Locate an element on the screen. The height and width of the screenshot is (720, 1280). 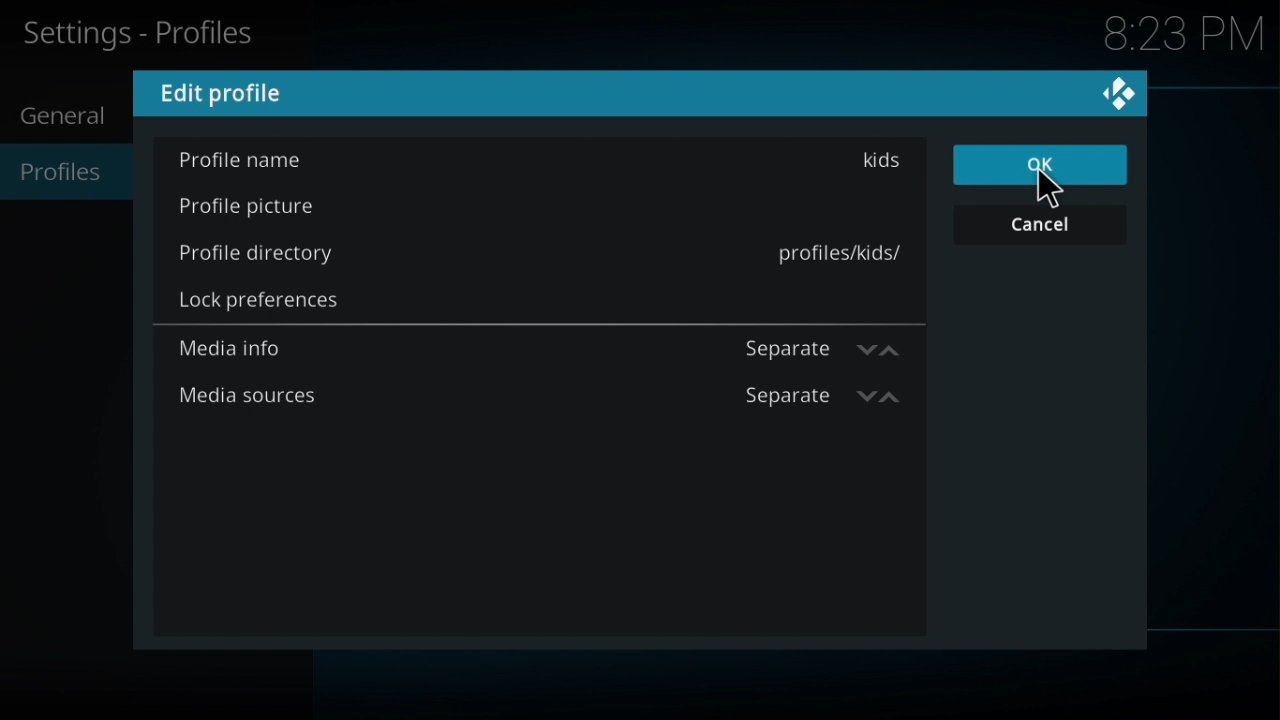
Separate is located at coordinates (825, 349).